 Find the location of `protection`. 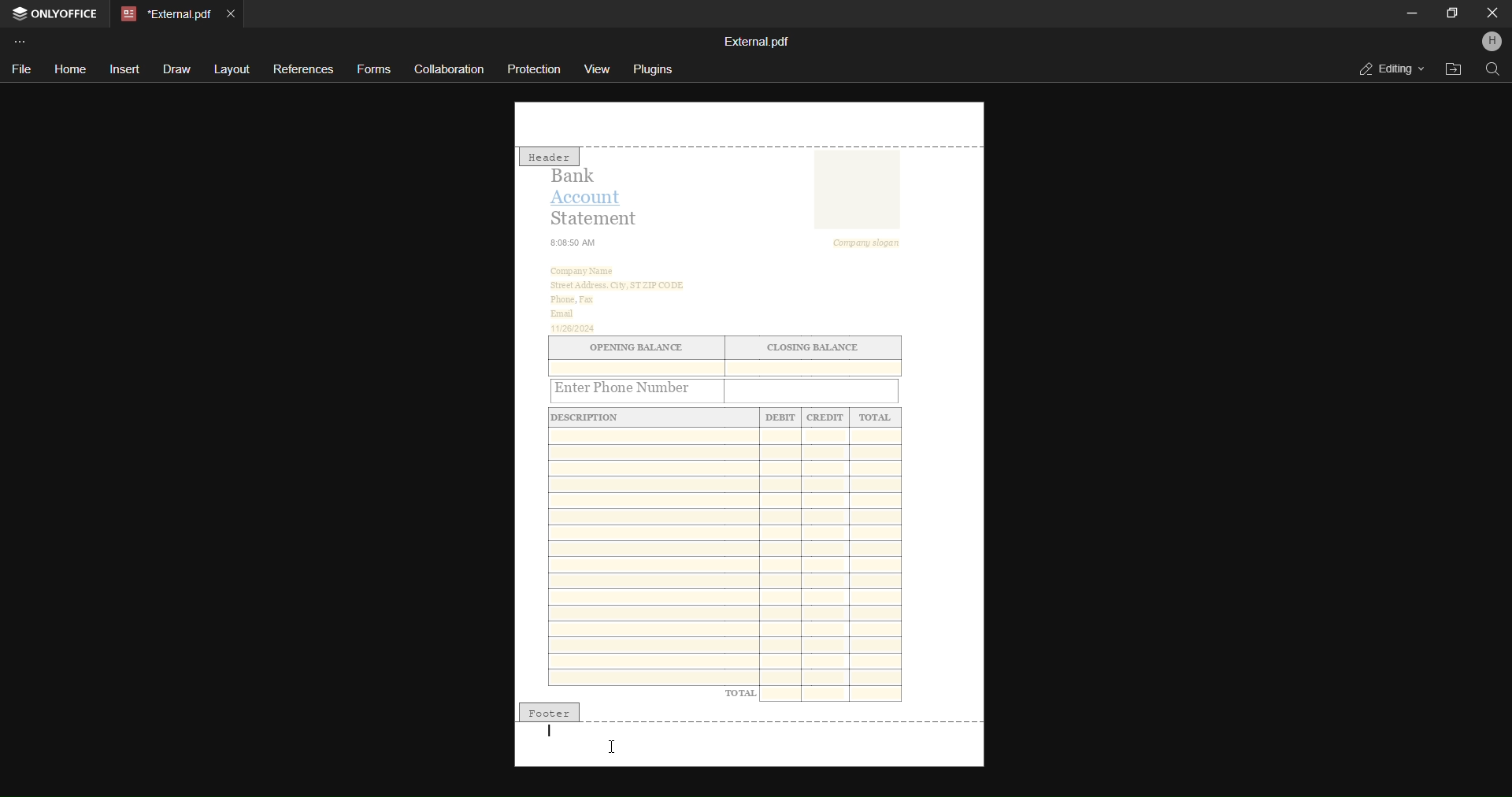

protection is located at coordinates (535, 69).